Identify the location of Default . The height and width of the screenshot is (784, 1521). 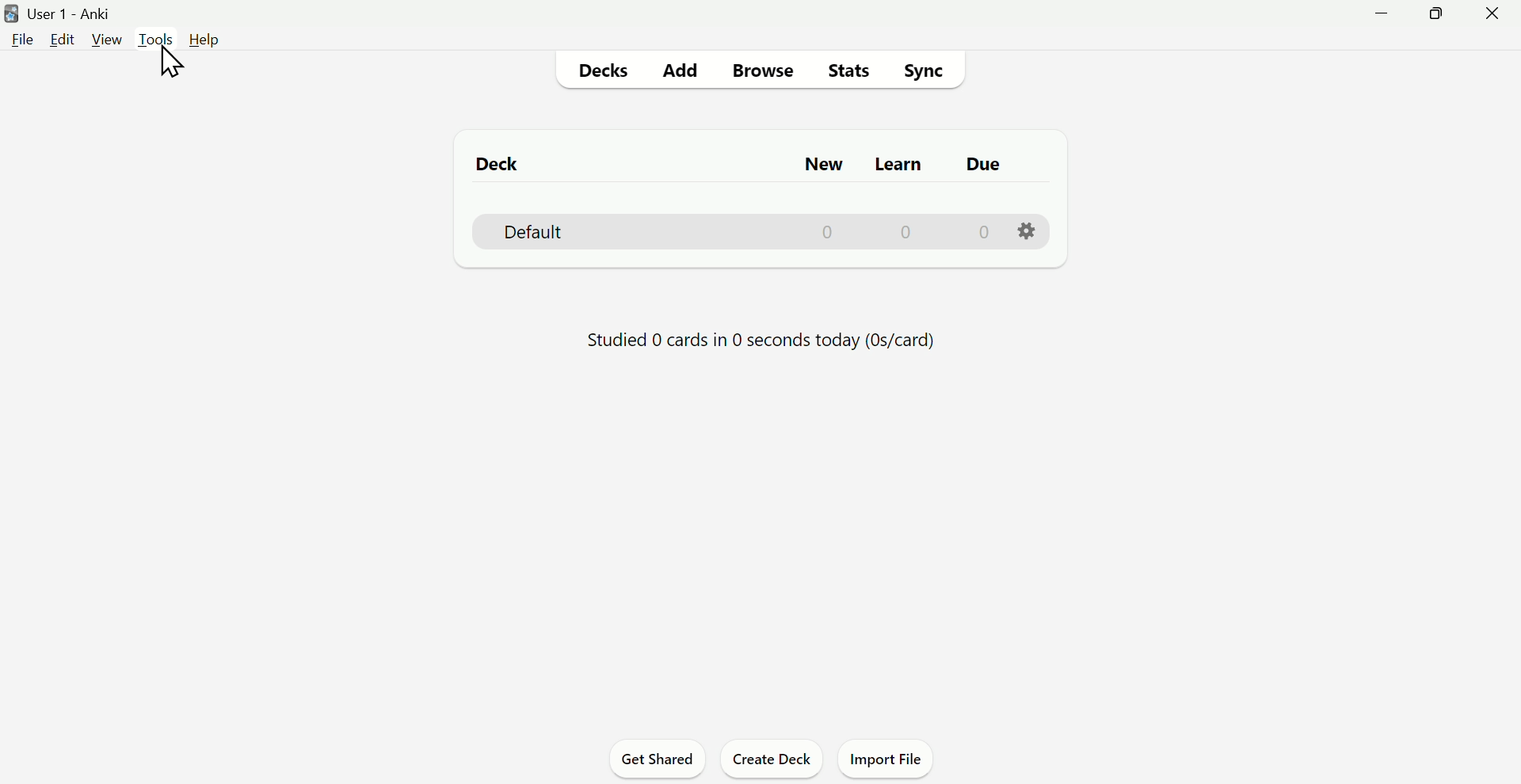
(757, 232).